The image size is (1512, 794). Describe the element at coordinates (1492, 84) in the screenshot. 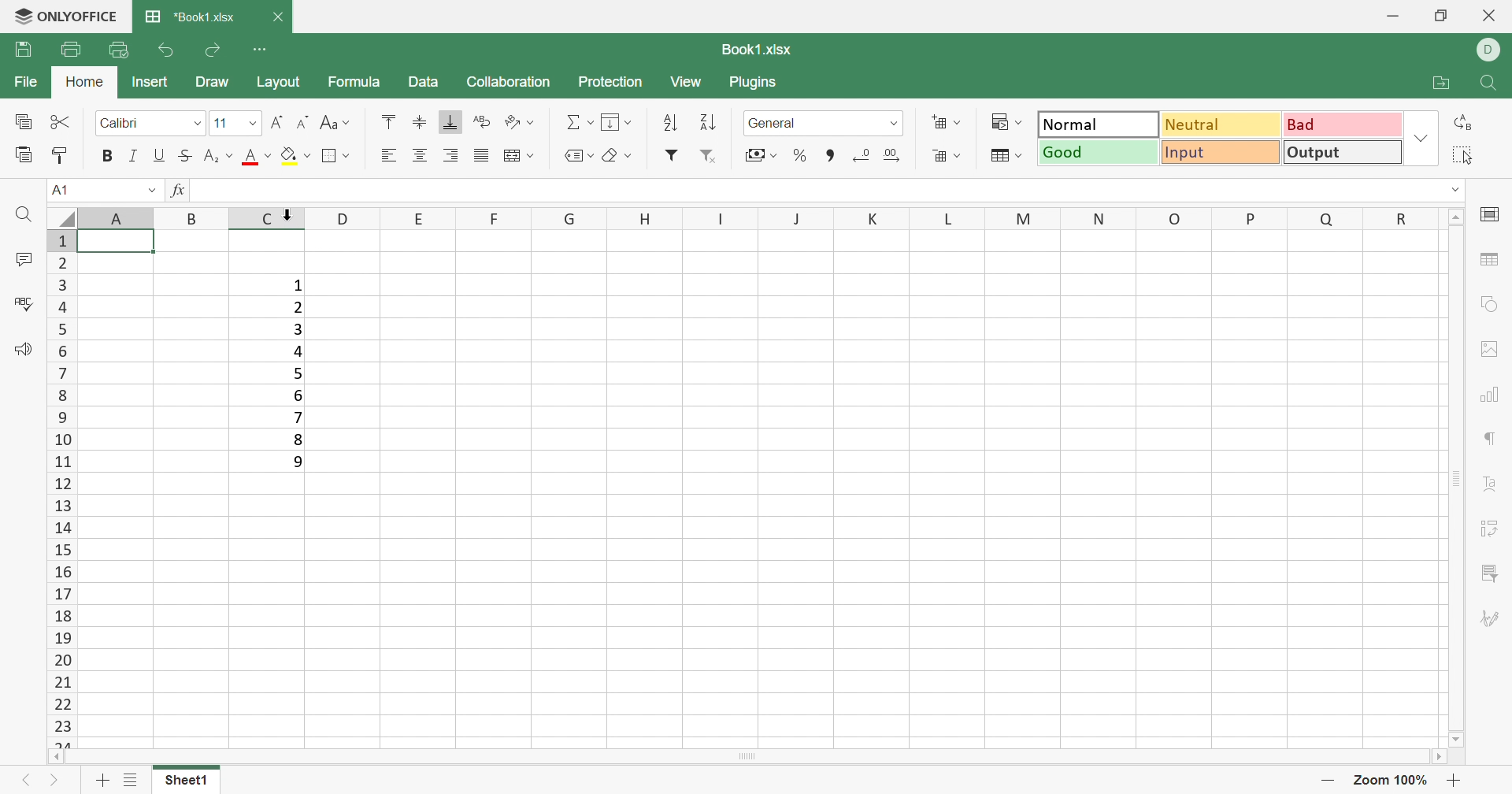

I see `Find` at that location.